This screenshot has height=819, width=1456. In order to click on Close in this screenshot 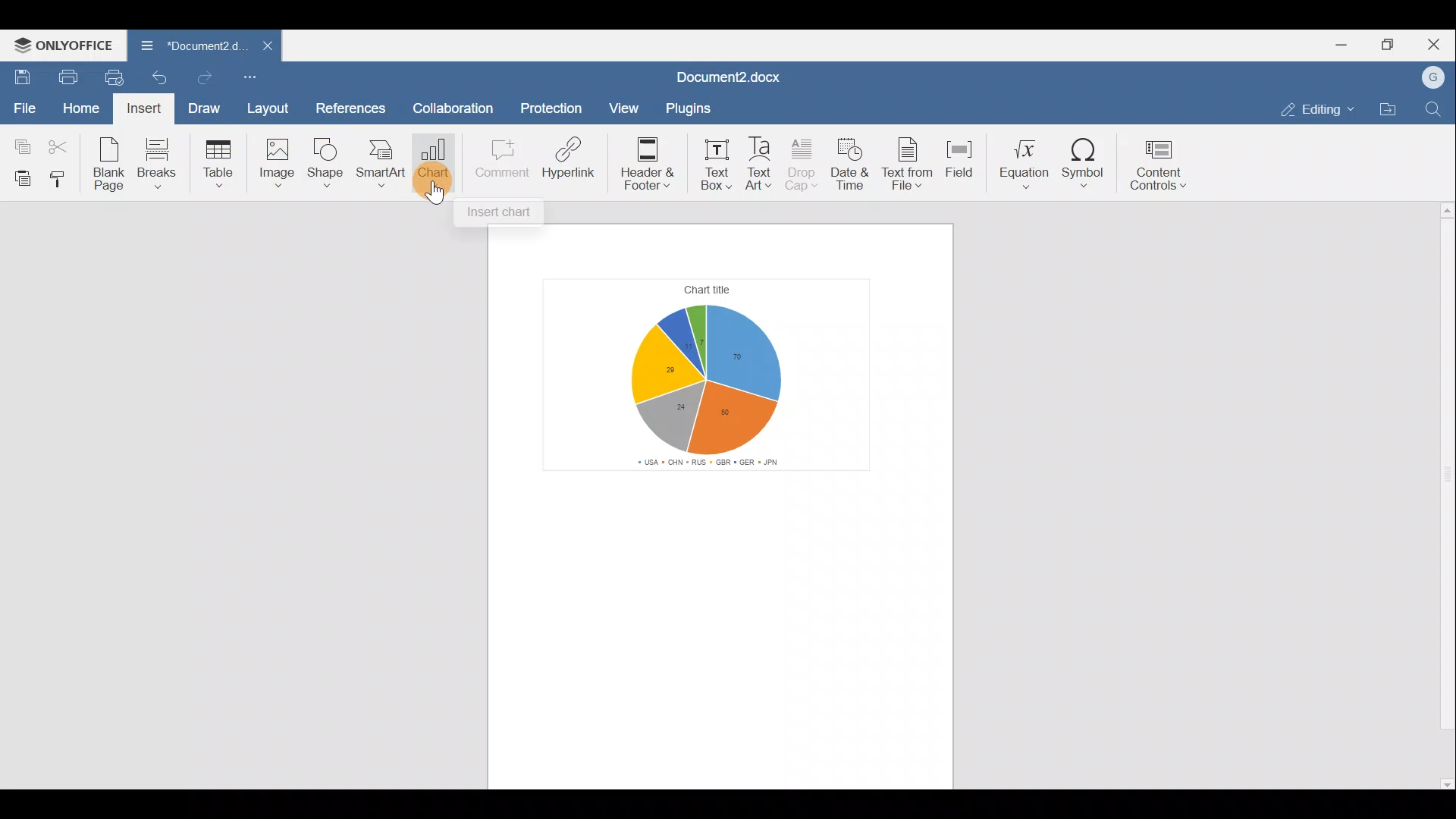, I will do `click(1436, 42)`.